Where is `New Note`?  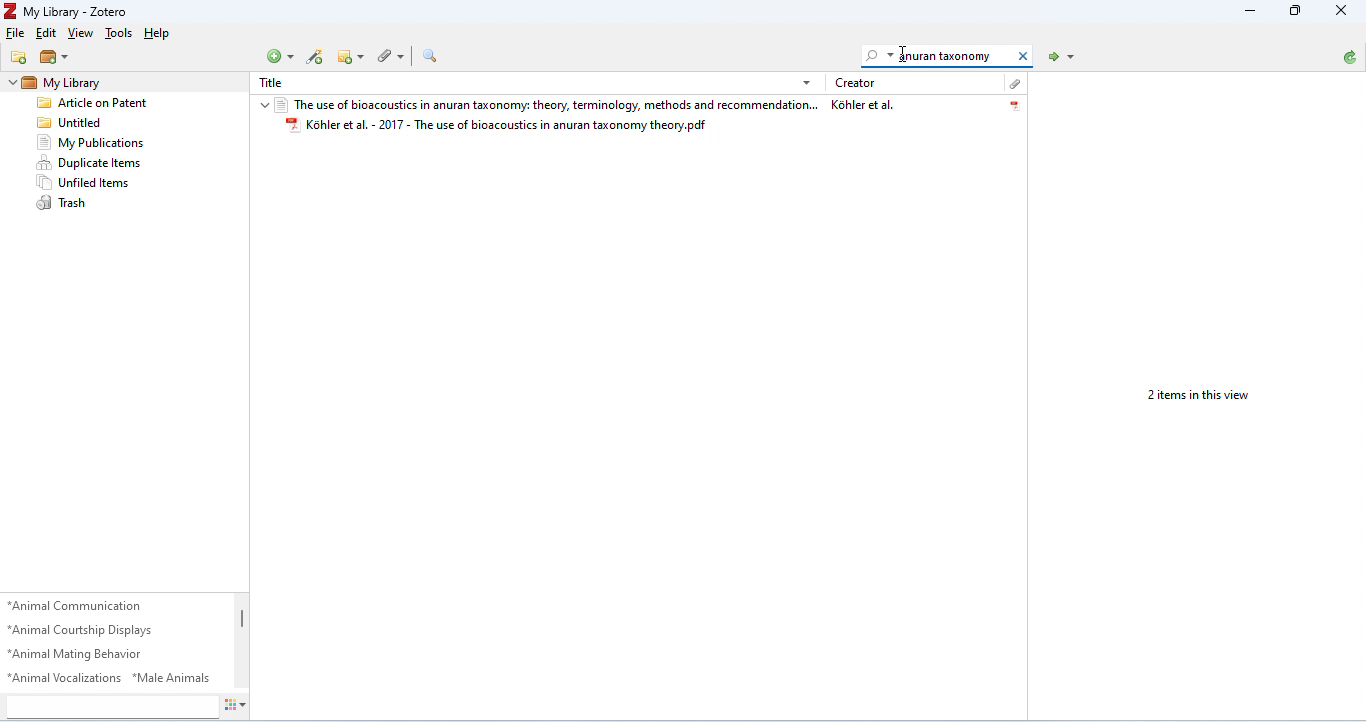
New Note is located at coordinates (350, 57).